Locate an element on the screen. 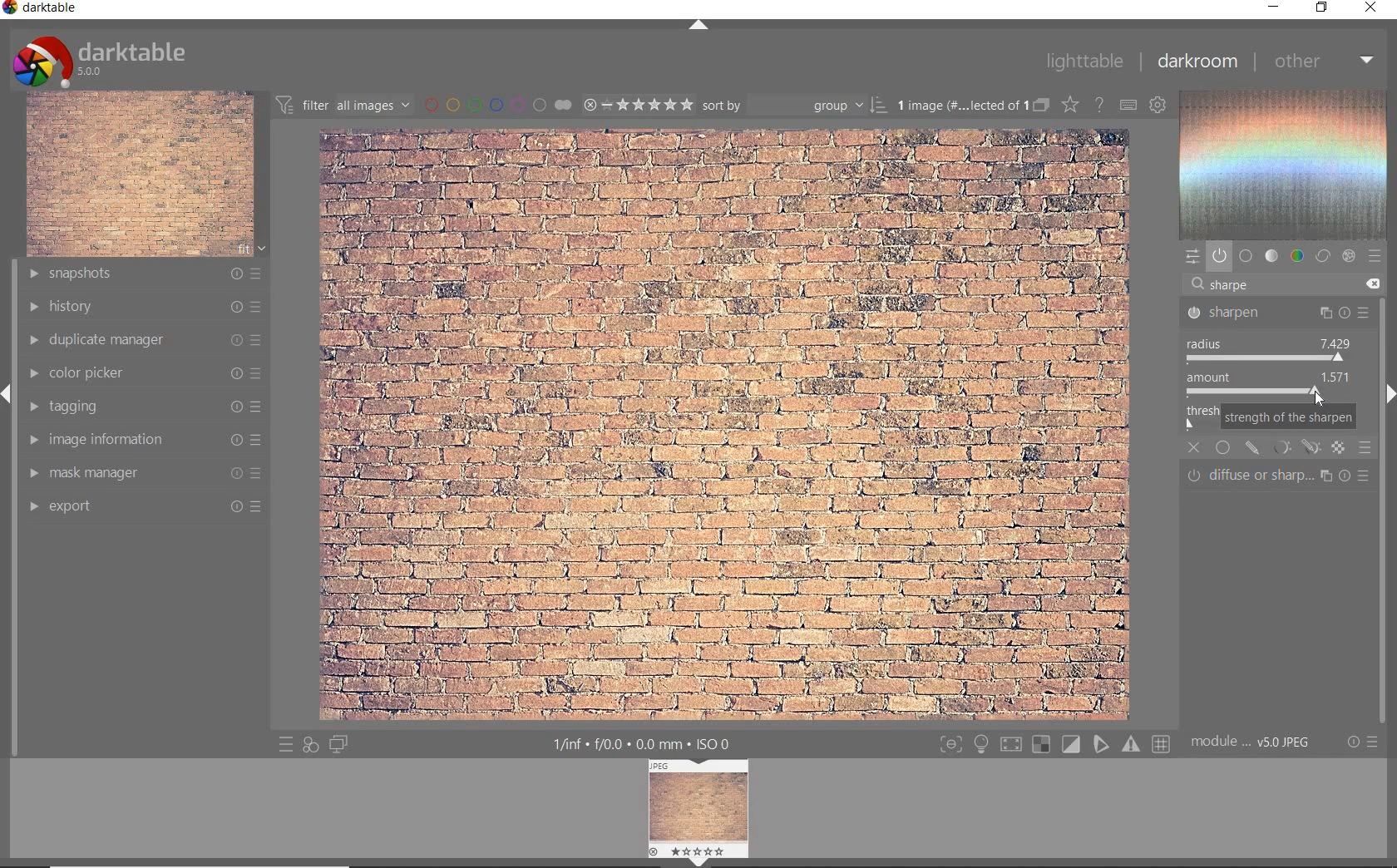 Image resolution: width=1397 pixels, height=868 pixels. selected image range rating is located at coordinates (638, 105).